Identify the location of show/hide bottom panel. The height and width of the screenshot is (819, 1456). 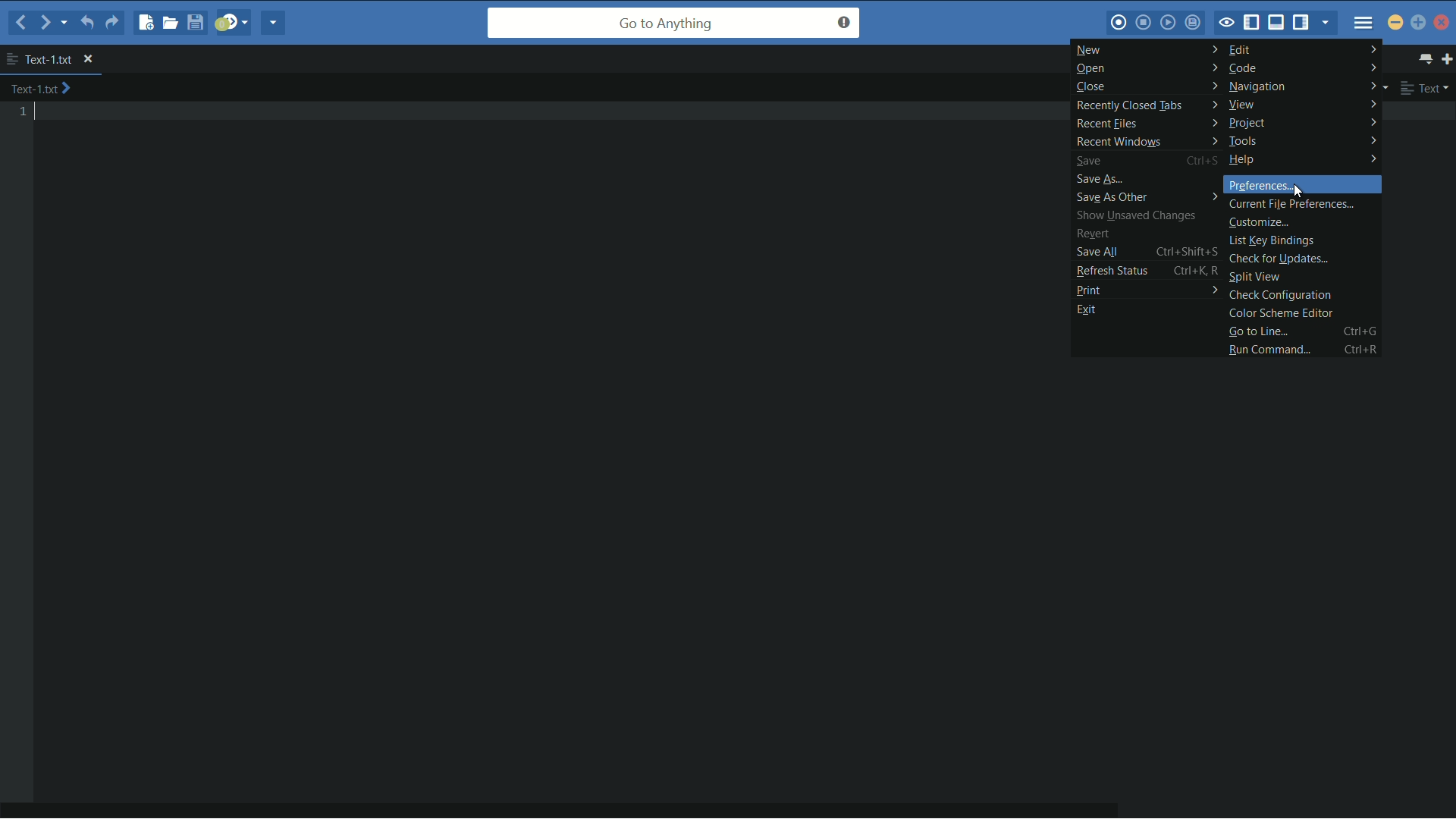
(1277, 23).